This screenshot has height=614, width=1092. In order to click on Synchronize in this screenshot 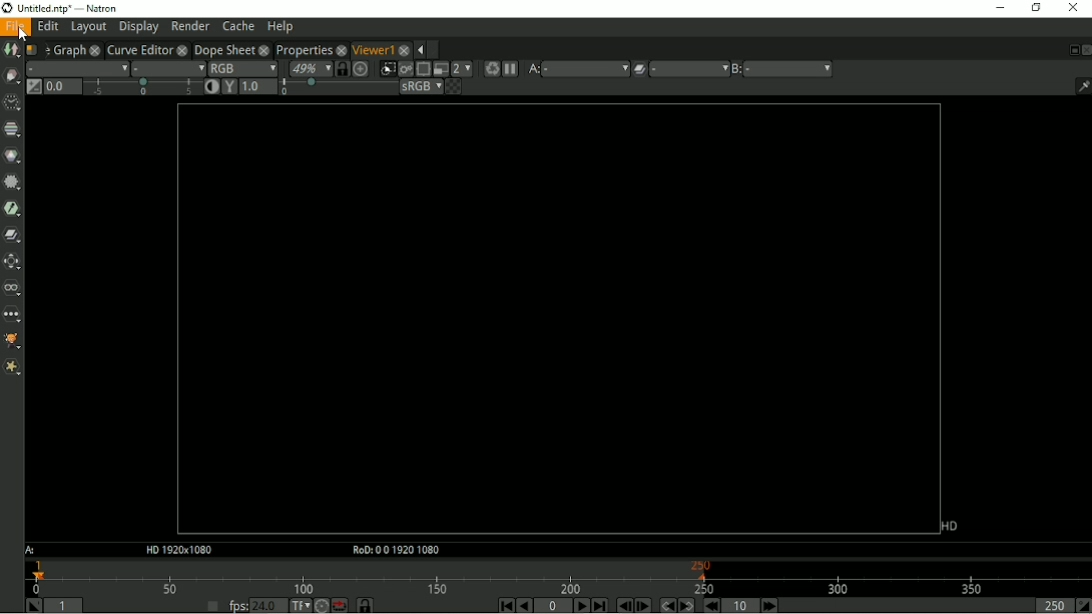, I will do `click(366, 605)`.